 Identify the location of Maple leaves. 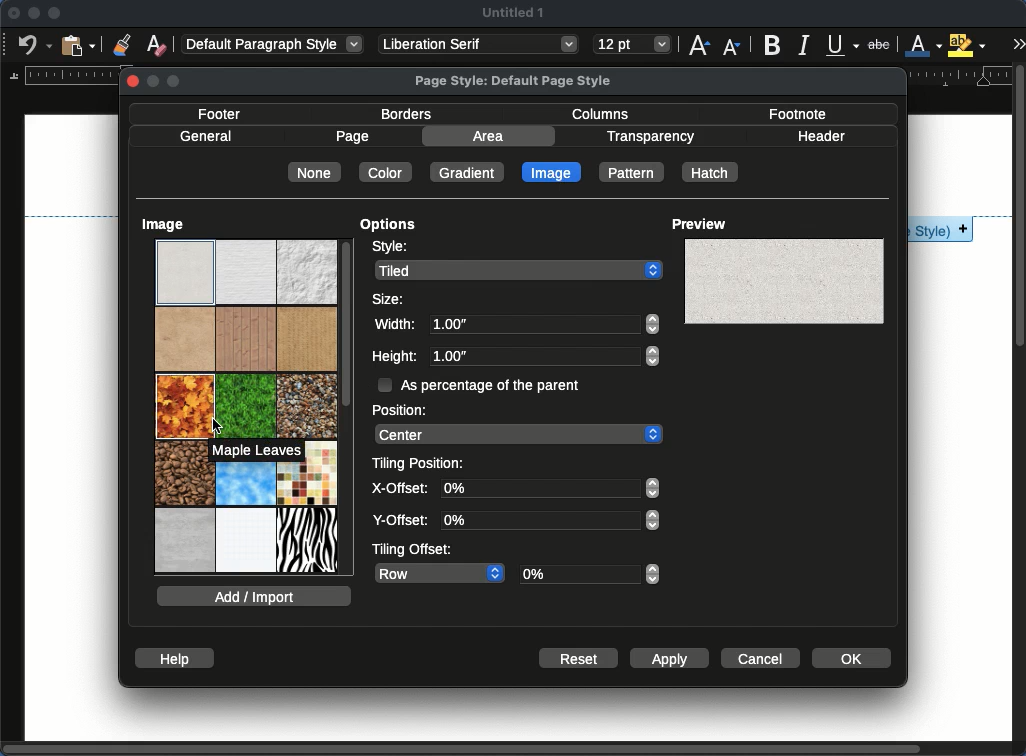
(258, 449).